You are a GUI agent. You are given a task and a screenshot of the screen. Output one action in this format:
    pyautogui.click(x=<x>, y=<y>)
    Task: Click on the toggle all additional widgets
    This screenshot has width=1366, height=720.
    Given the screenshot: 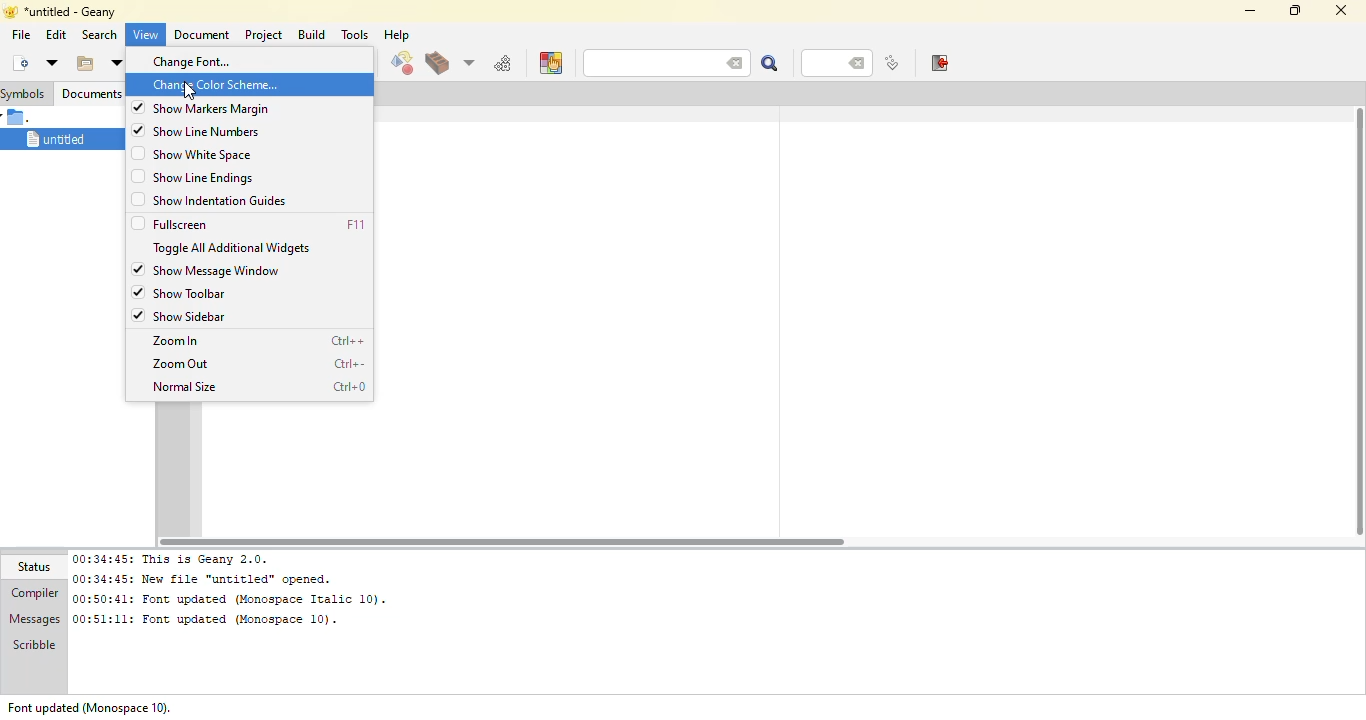 What is the action you would take?
    pyautogui.click(x=236, y=247)
    